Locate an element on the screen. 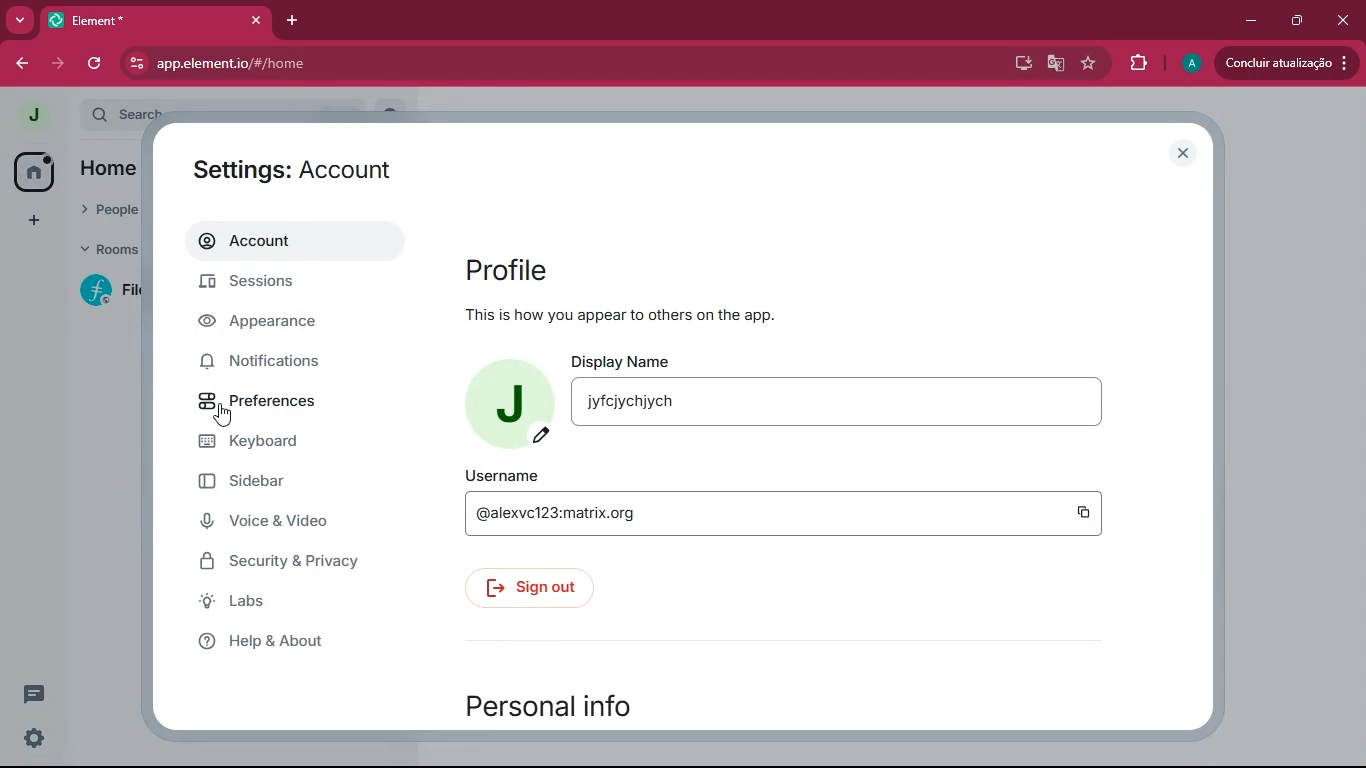 Image resolution: width=1366 pixels, height=768 pixels. update is located at coordinates (1286, 61).